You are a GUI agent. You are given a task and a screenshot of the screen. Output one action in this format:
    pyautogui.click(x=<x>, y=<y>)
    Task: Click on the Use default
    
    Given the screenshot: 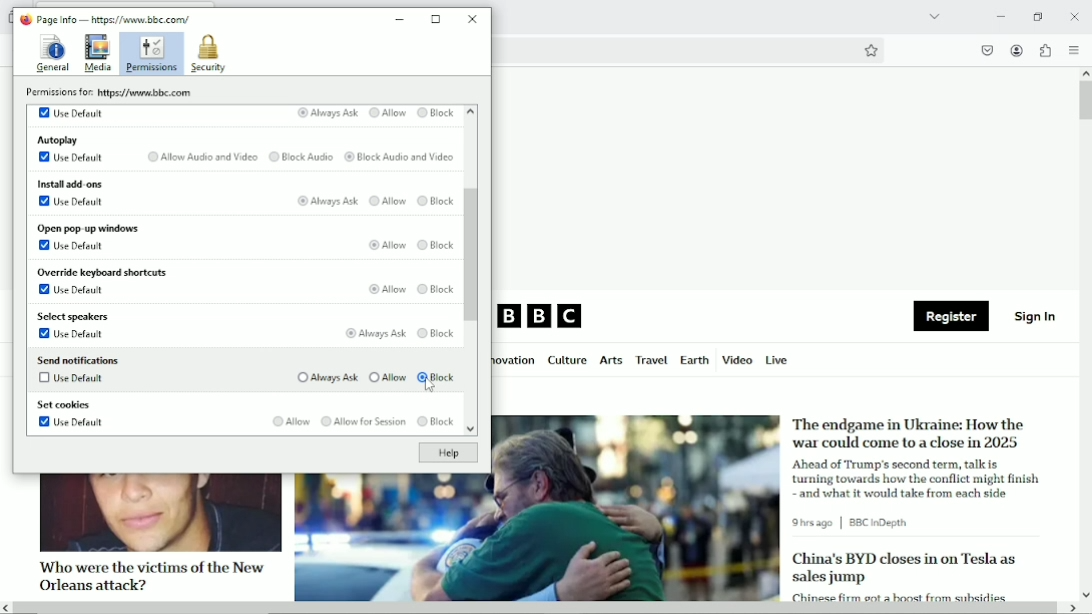 What is the action you would take?
    pyautogui.click(x=71, y=158)
    